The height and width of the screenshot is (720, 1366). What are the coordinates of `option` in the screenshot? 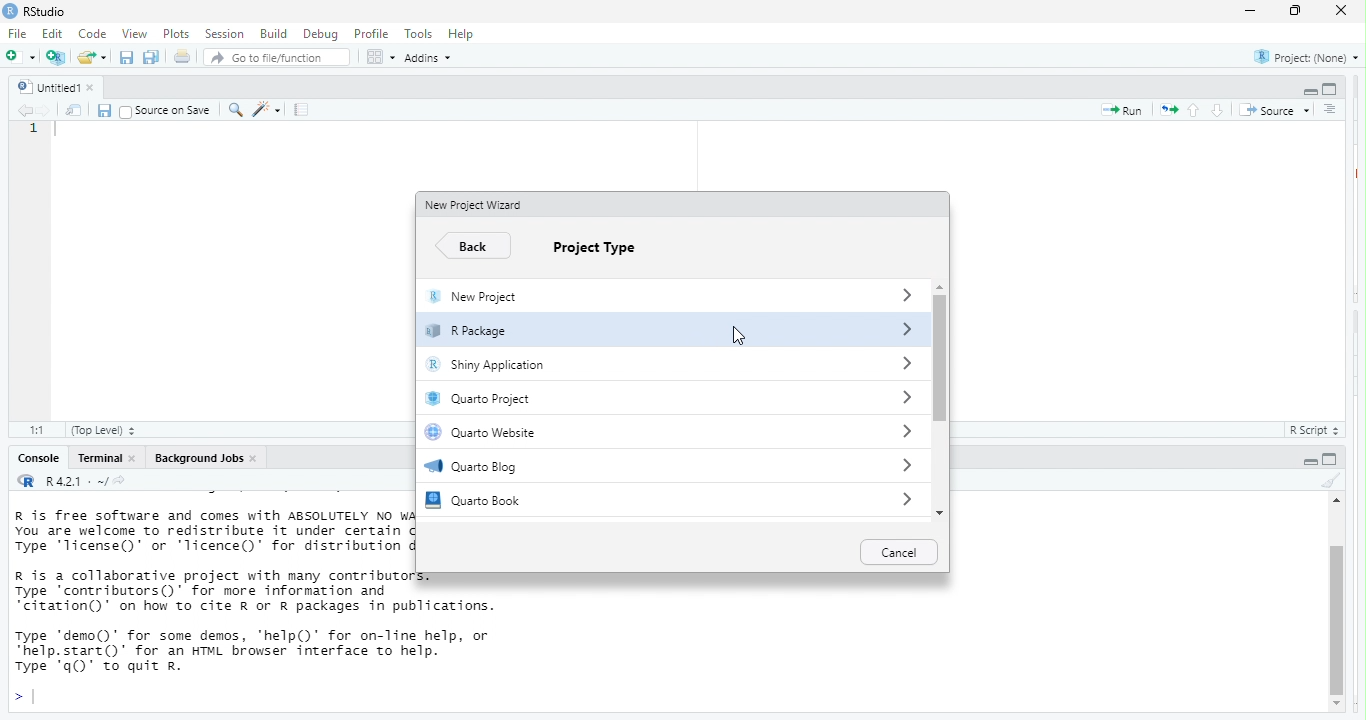 It's located at (379, 57).